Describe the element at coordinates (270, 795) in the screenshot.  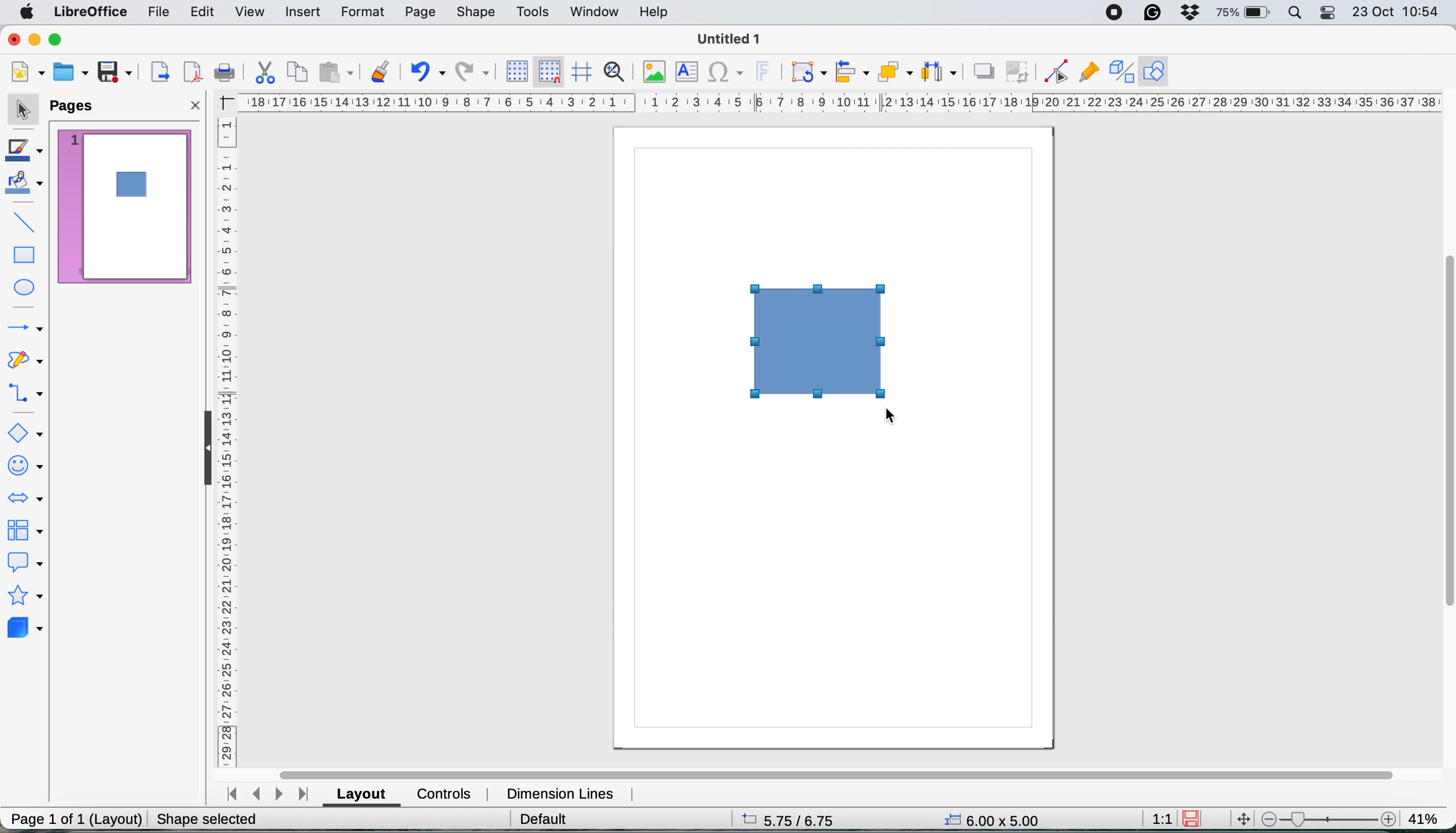
I see `navigate between sheets` at that location.